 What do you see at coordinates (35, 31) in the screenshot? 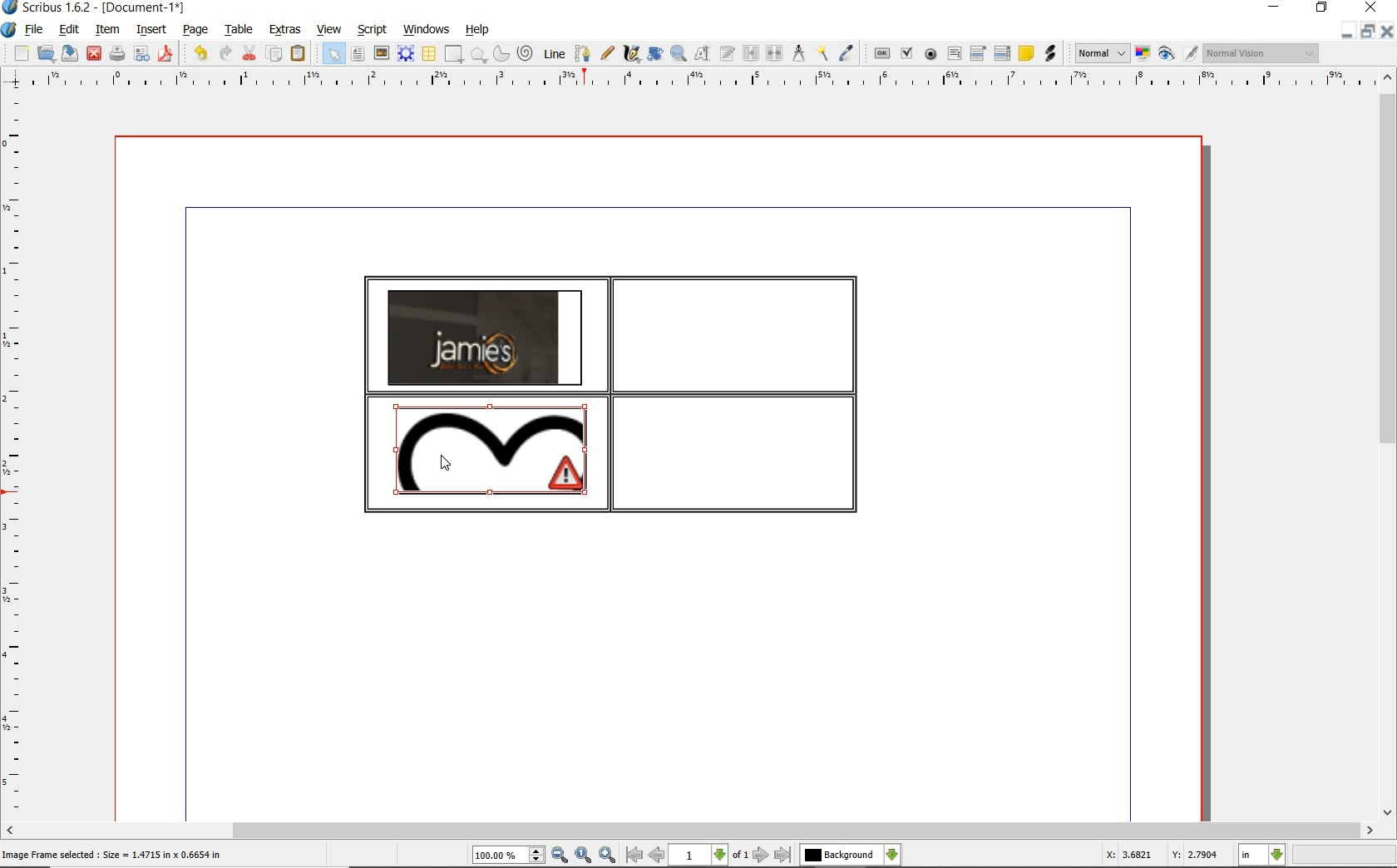
I see `file` at bounding box center [35, 31].